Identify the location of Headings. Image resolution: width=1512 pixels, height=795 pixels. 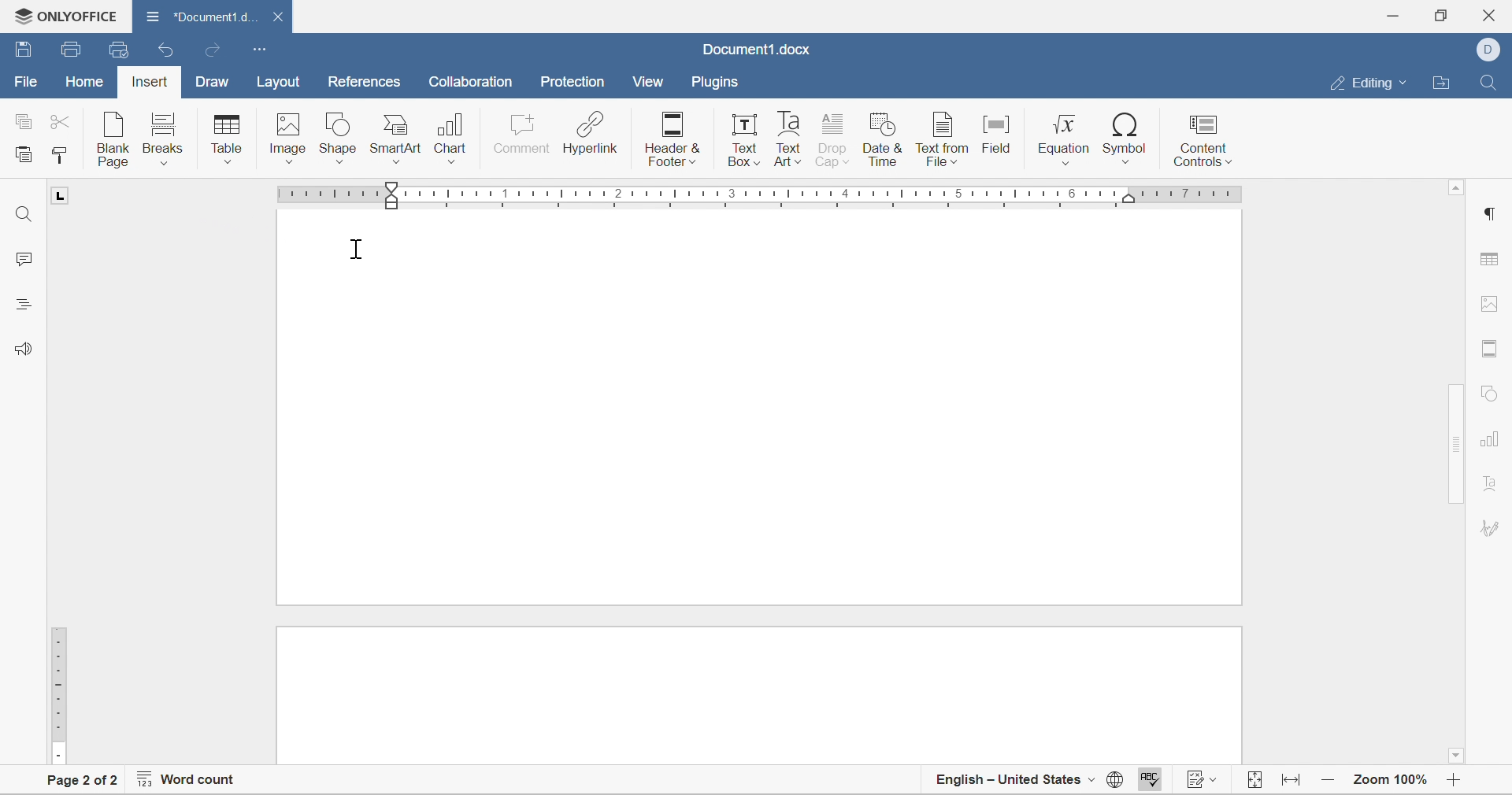
(21, 303).